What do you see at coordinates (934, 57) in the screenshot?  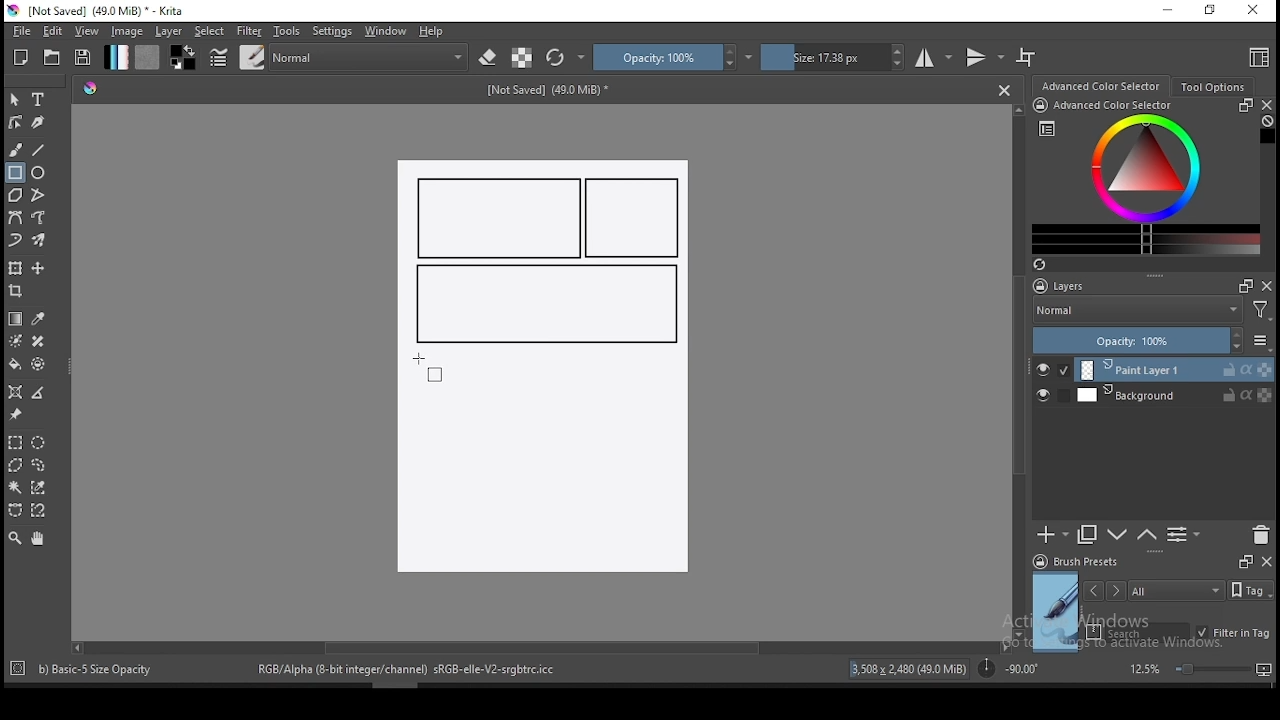 I see `horizontal mirror tool` at bounding box center [934, 57].